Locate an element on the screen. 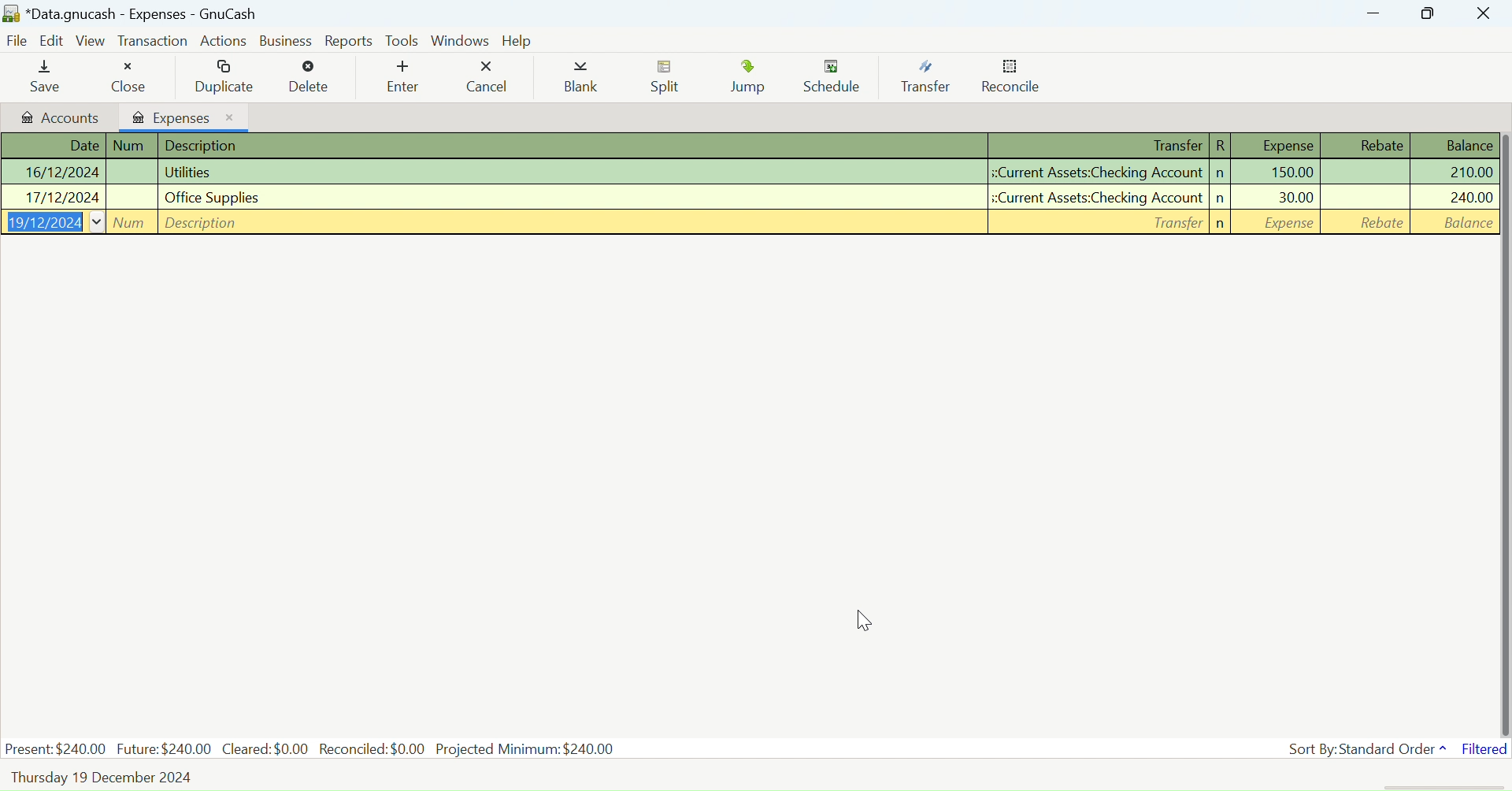 The width and height of the screenshot is (1512, 791). Utilities Transaction is located at coordinates (755, 172).